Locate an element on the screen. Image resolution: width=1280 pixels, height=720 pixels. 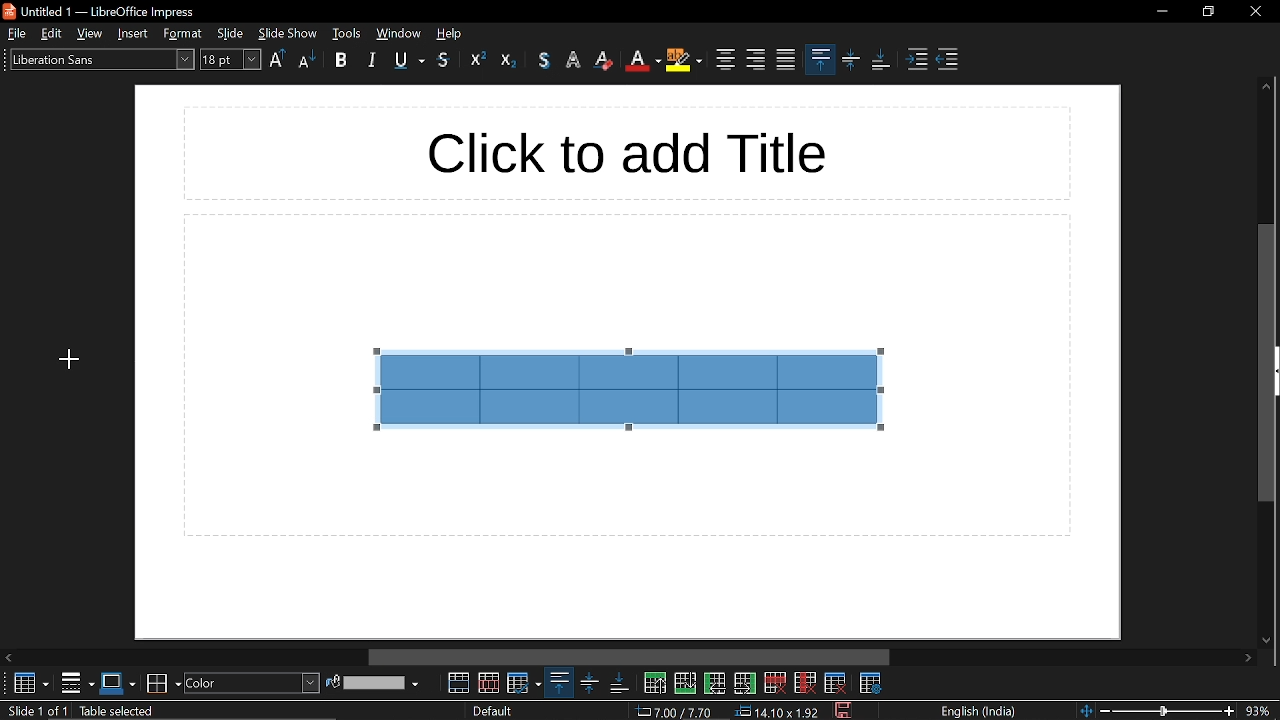
fit to page  is located at coordinates (1086, 709).